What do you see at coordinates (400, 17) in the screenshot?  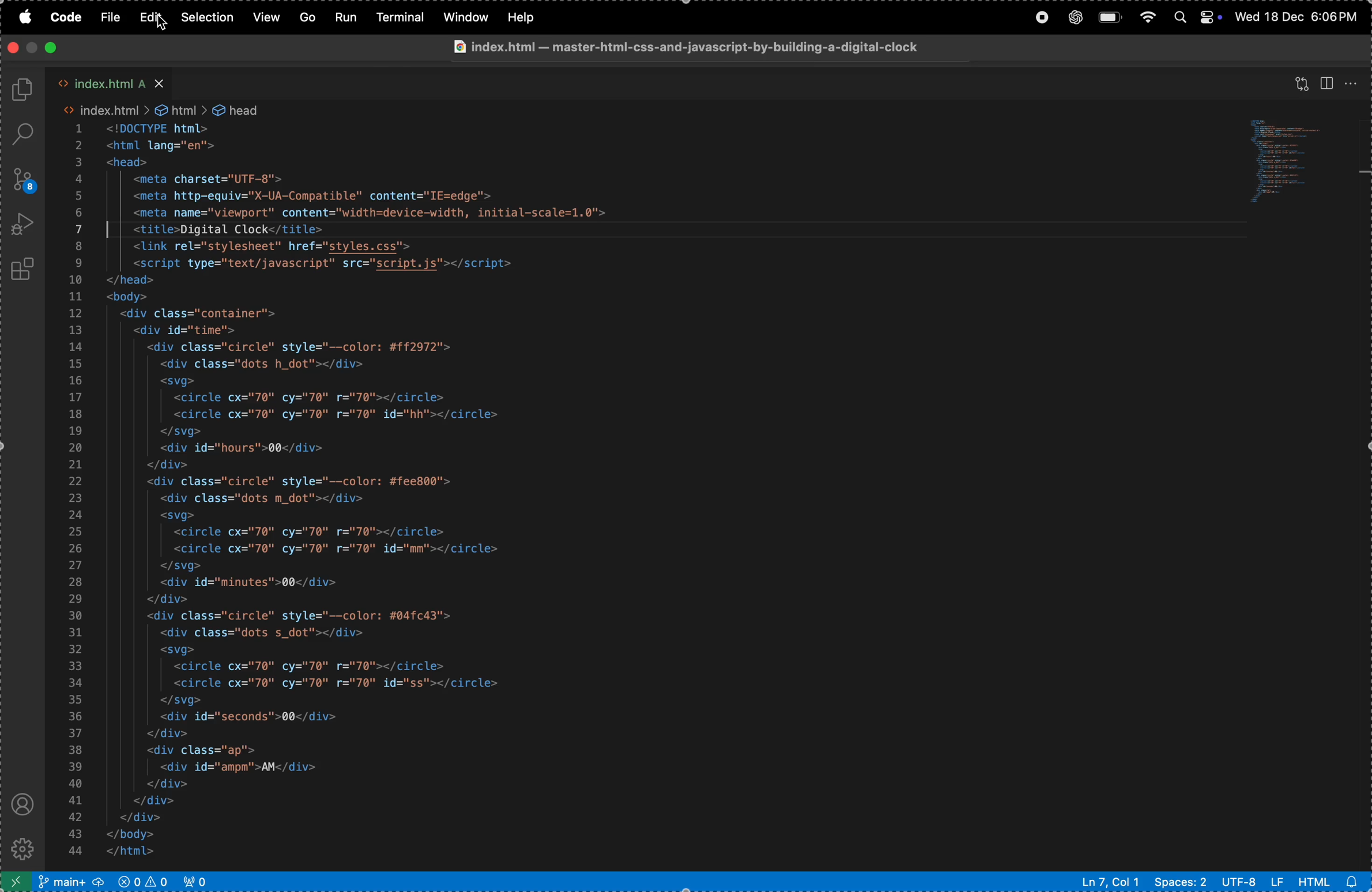 I see `terminal` at bounding box center [400, 17].